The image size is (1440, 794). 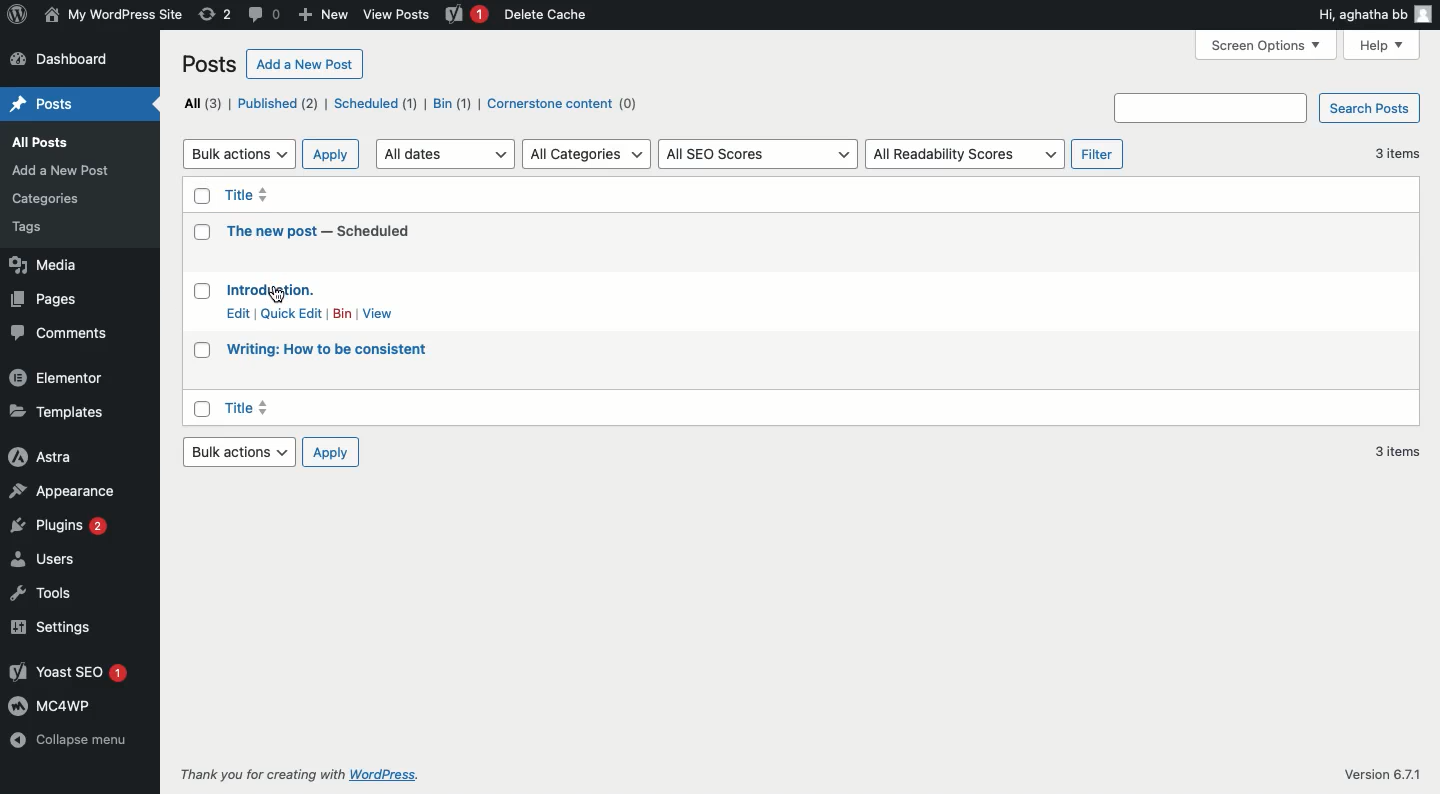 I want to click on MC4WP, so click(x=56, y=705).